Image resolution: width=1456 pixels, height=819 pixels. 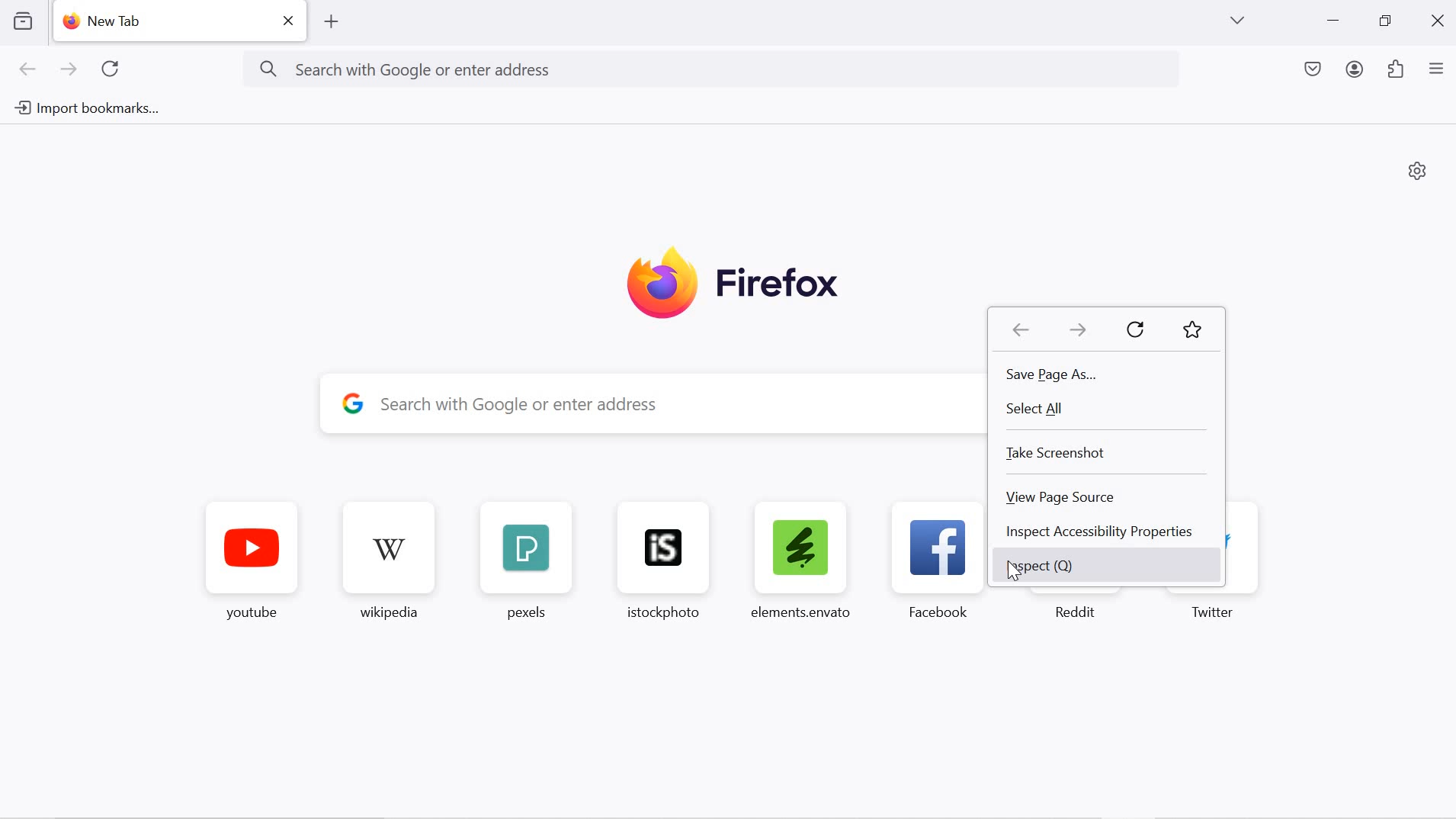 What do you see at coordinates (25, 24) in the screenshot?
I see `VIEW RECENT BROWSING ACROSS WINDOWS AND DEVICES` at bounding box center [25, 24].